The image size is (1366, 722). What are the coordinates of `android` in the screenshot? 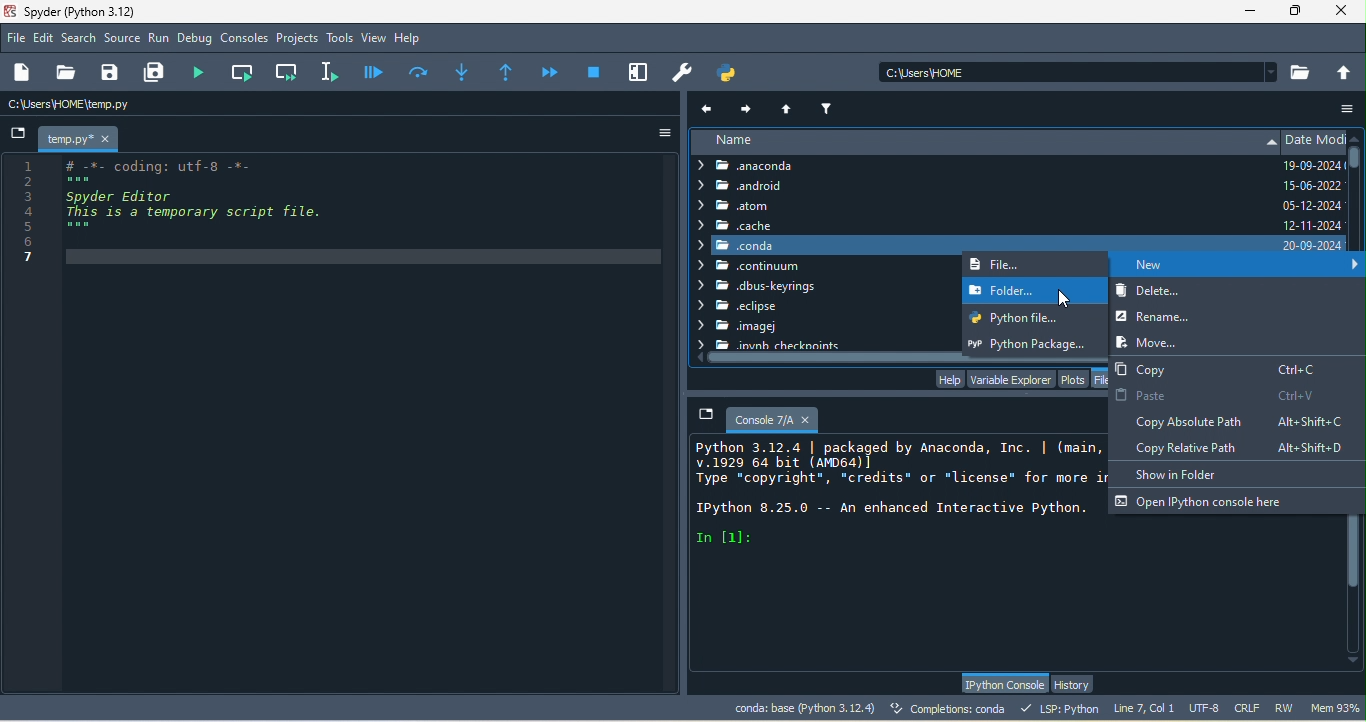 It's located at (753, 187).